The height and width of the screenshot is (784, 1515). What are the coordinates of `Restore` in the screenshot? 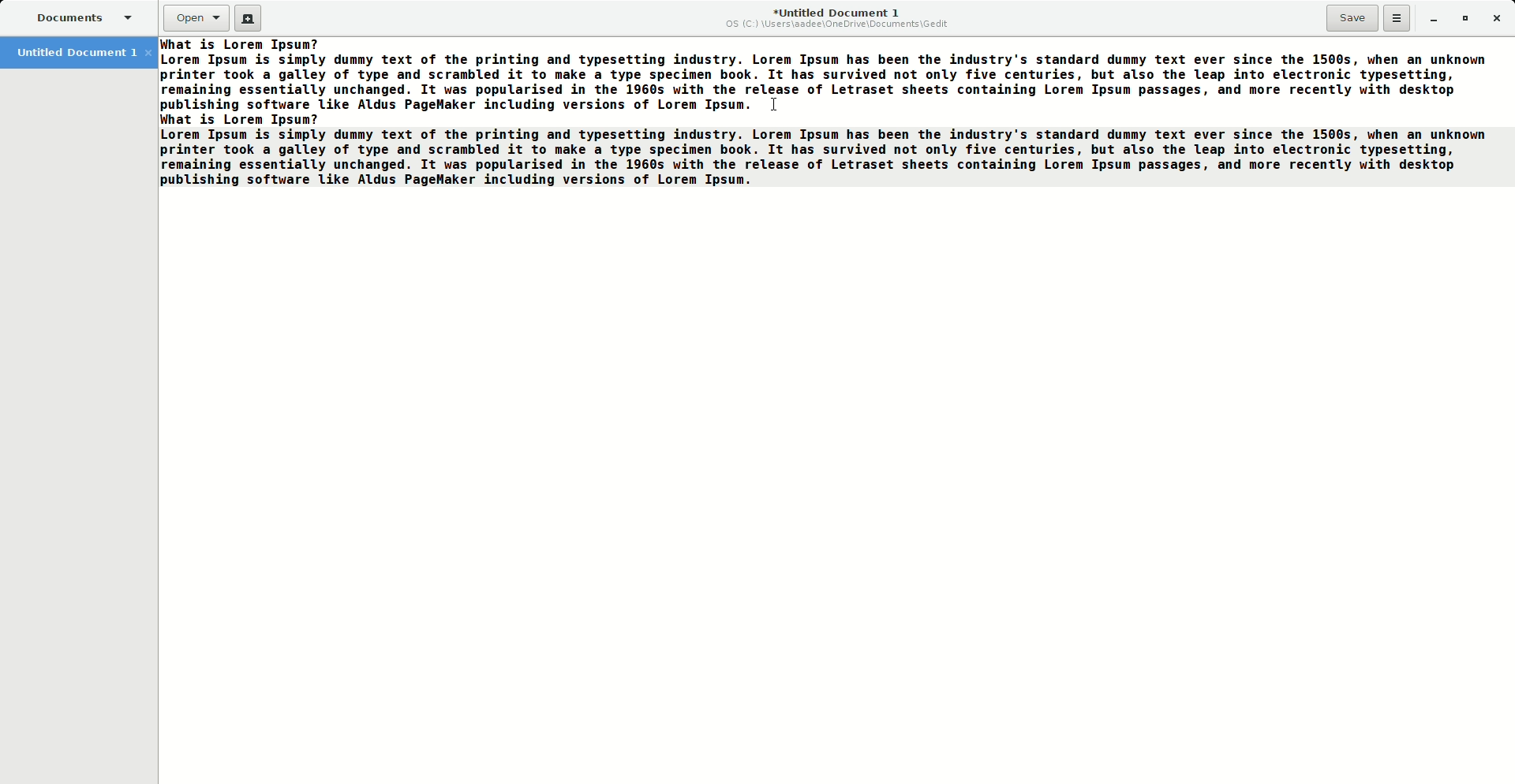 It's located at (1463, 17).